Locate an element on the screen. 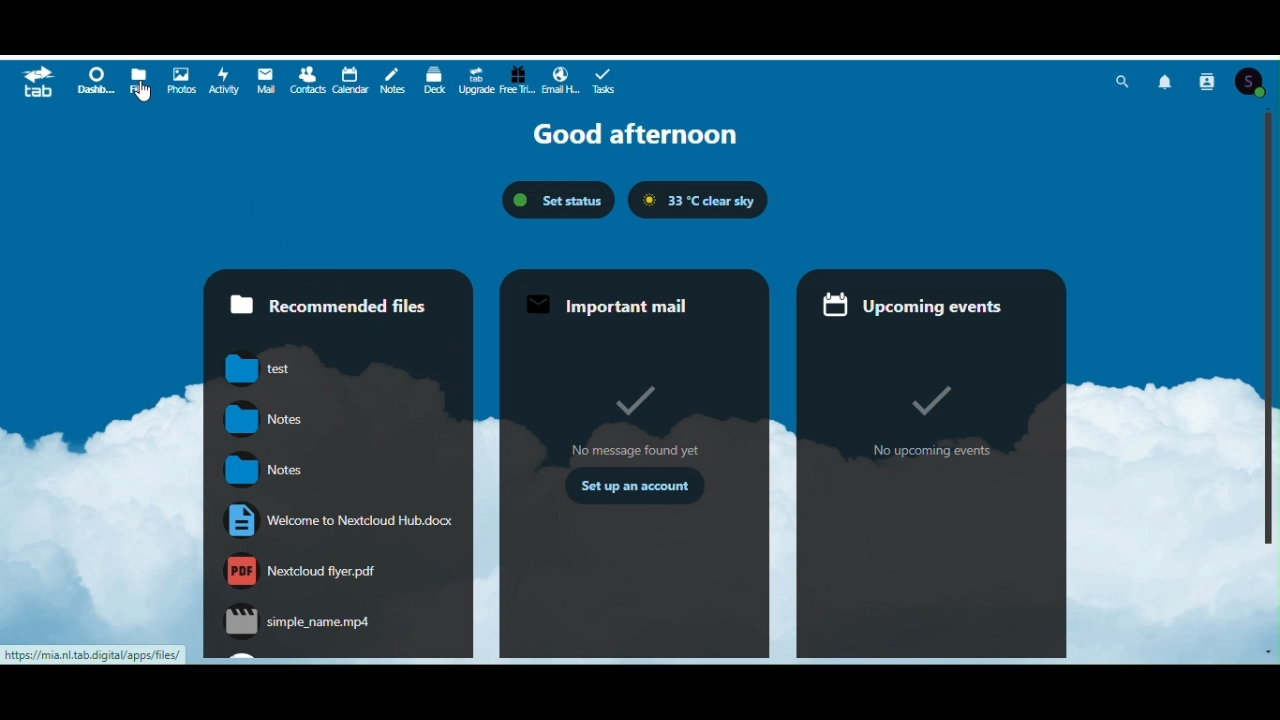 The width and height of the screenshot is (1280, 720). Upgrades is located at coordinates (476, 78).